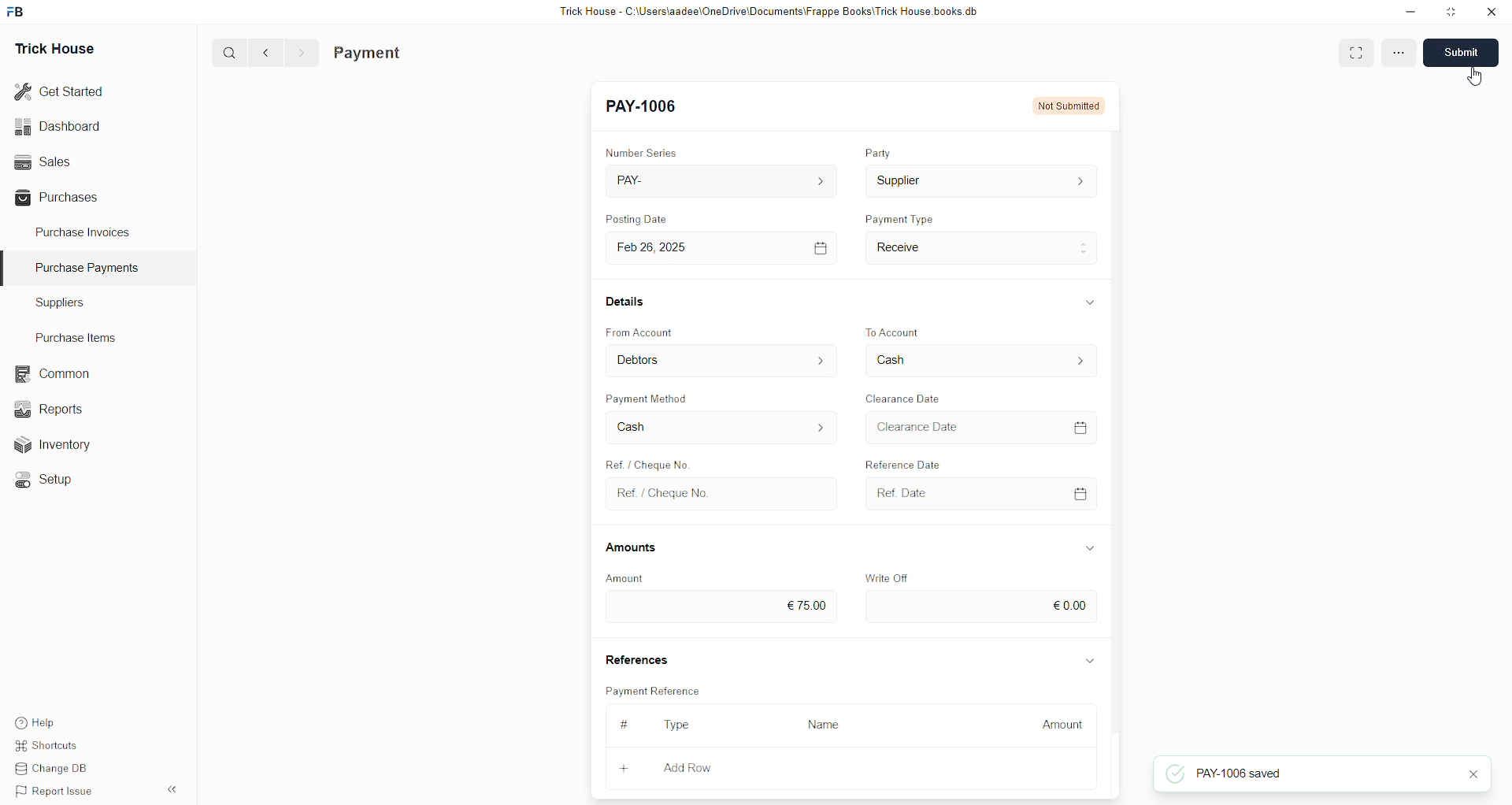  I want to click on close, so click(1492, 12).